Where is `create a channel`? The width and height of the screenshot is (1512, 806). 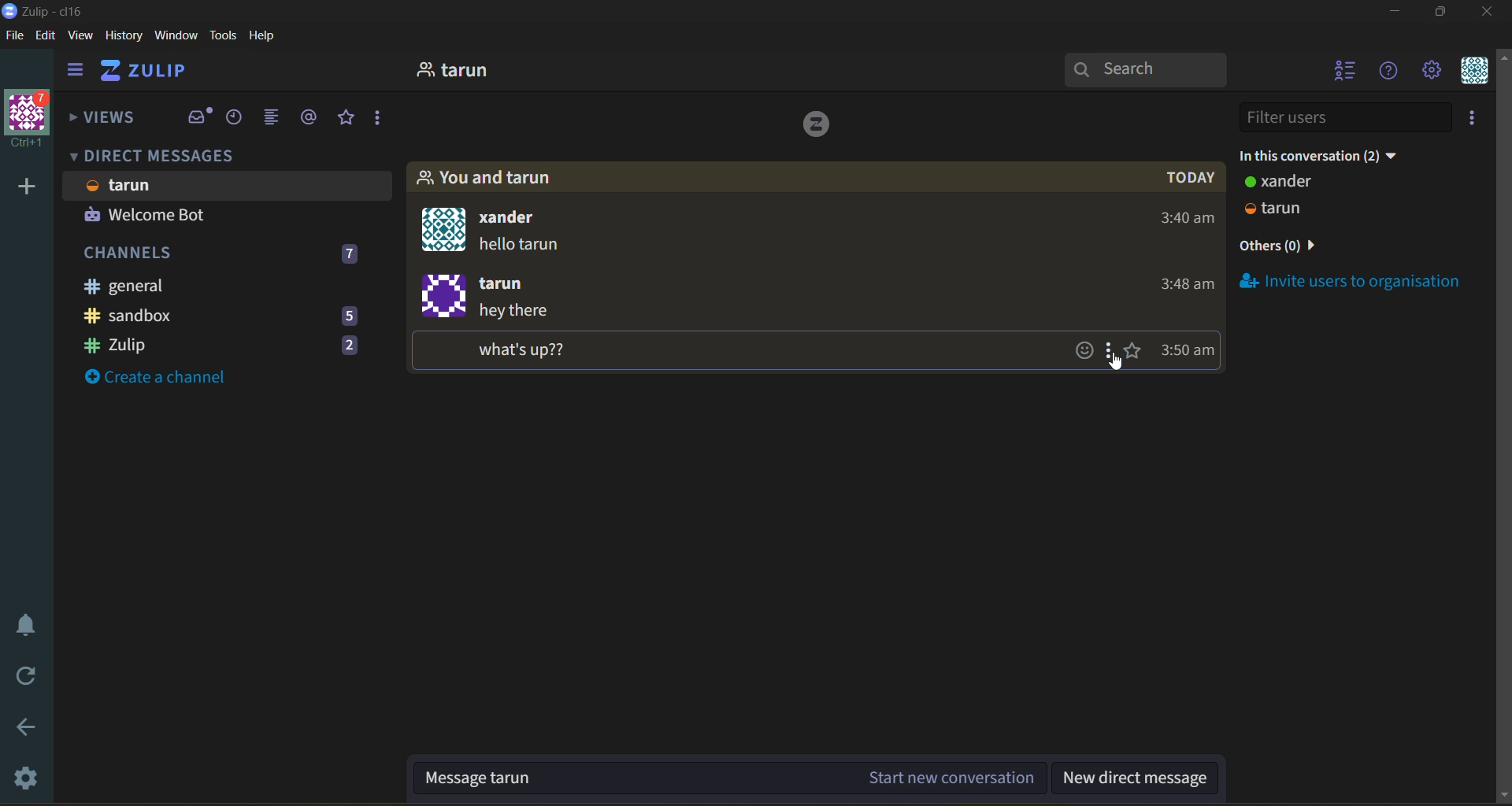
create a channel is located at coordinates (165, 377).